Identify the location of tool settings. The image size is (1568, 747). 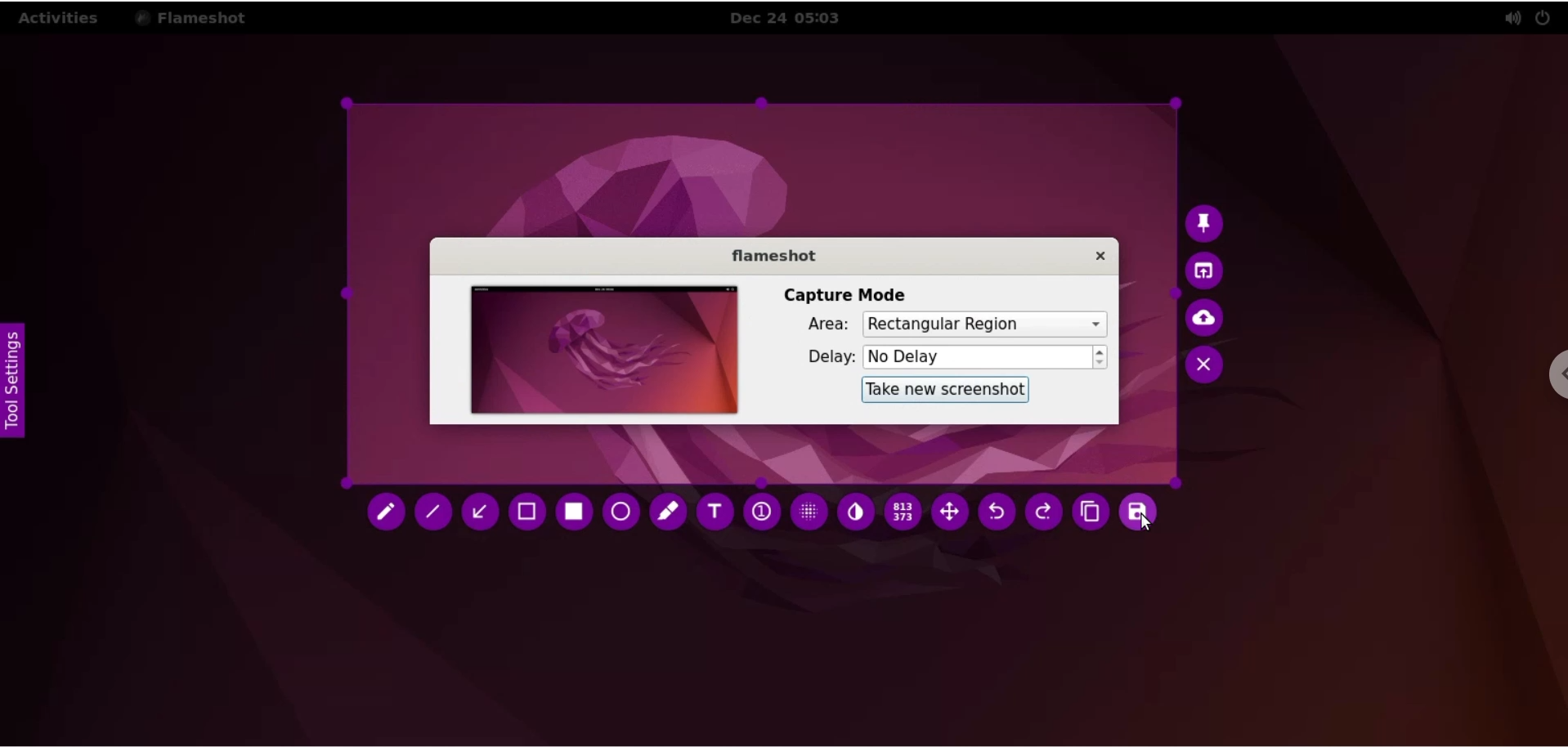
(15, 382).